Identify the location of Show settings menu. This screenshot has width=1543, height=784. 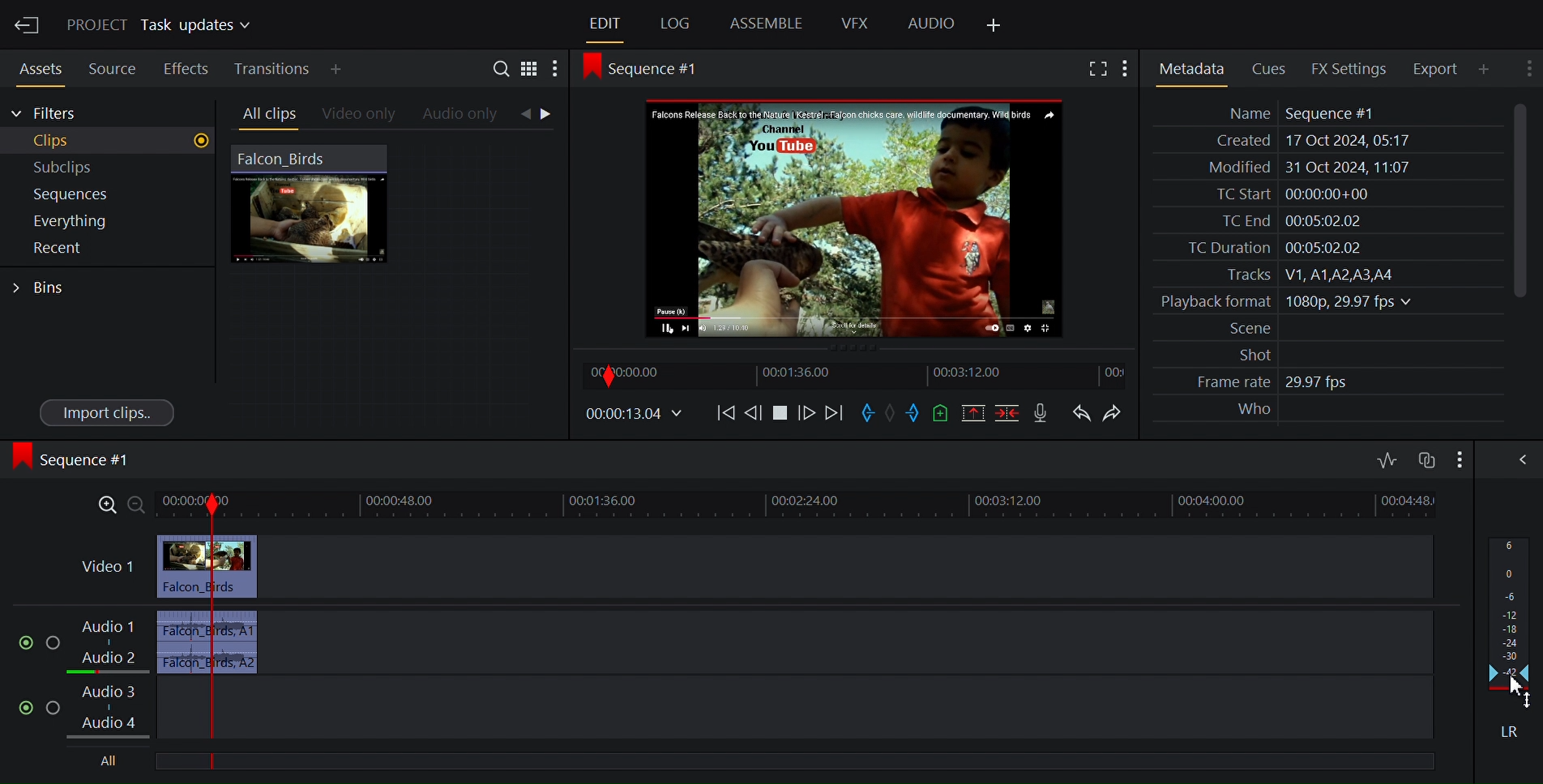
(557, 67).